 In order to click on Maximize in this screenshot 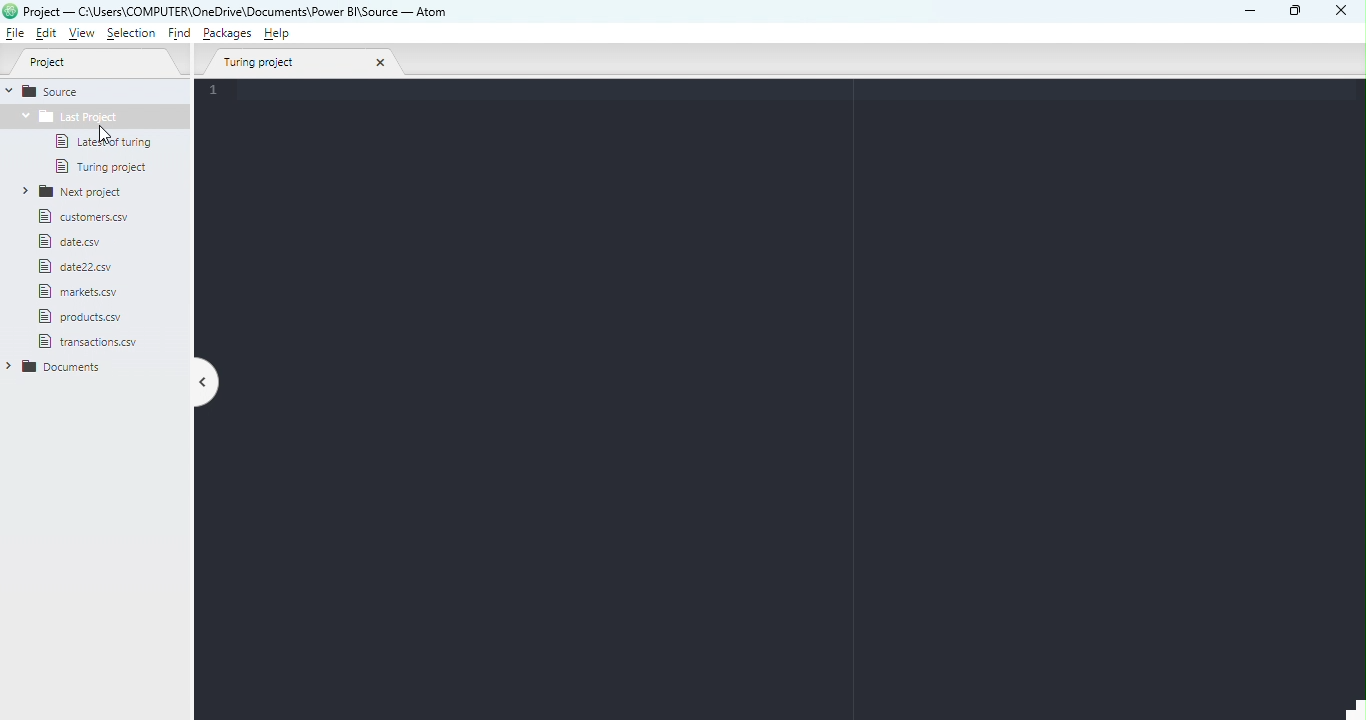, I will do `click(1298, 10)`.